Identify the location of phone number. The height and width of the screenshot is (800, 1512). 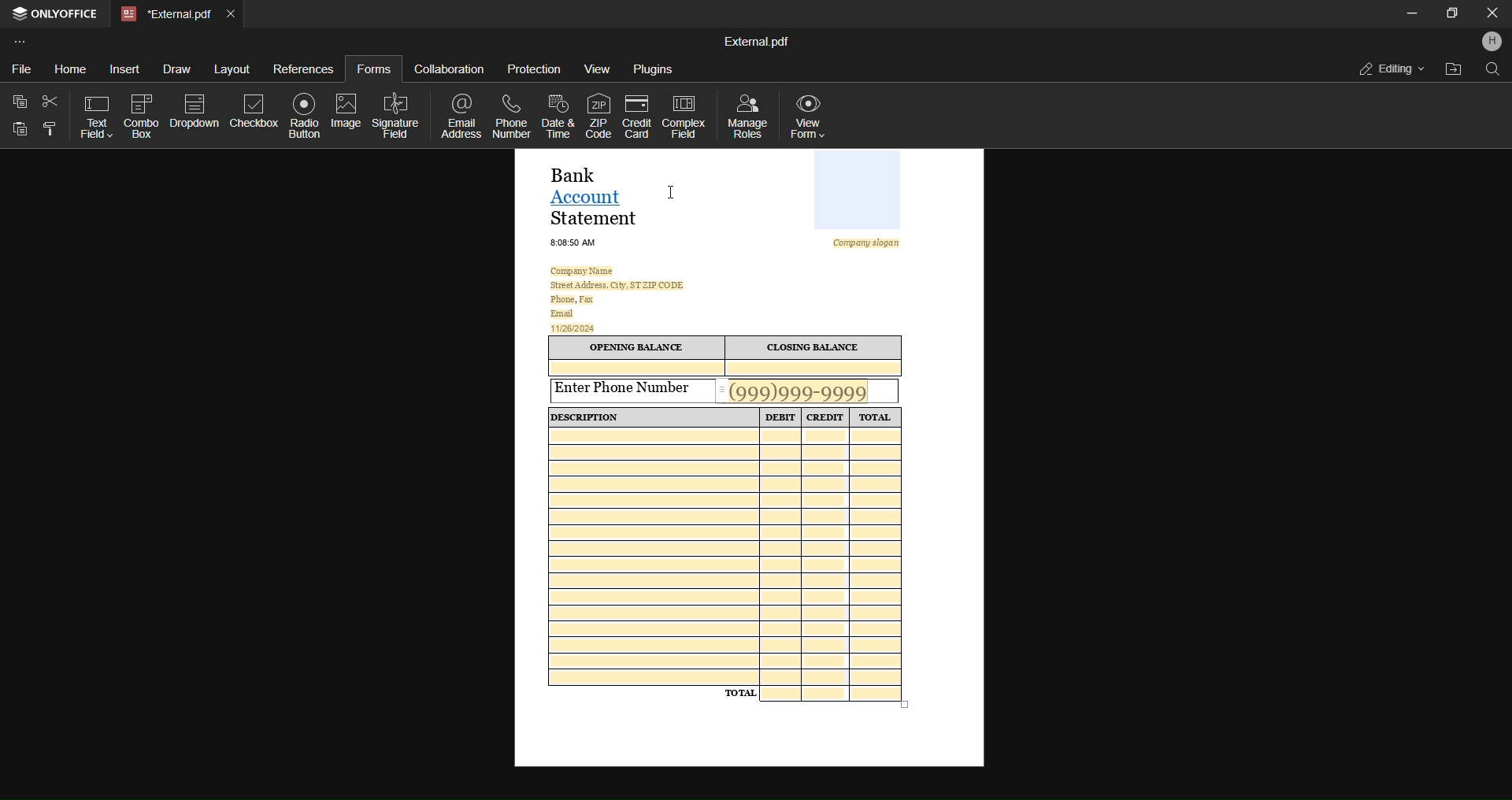
(511, 114).